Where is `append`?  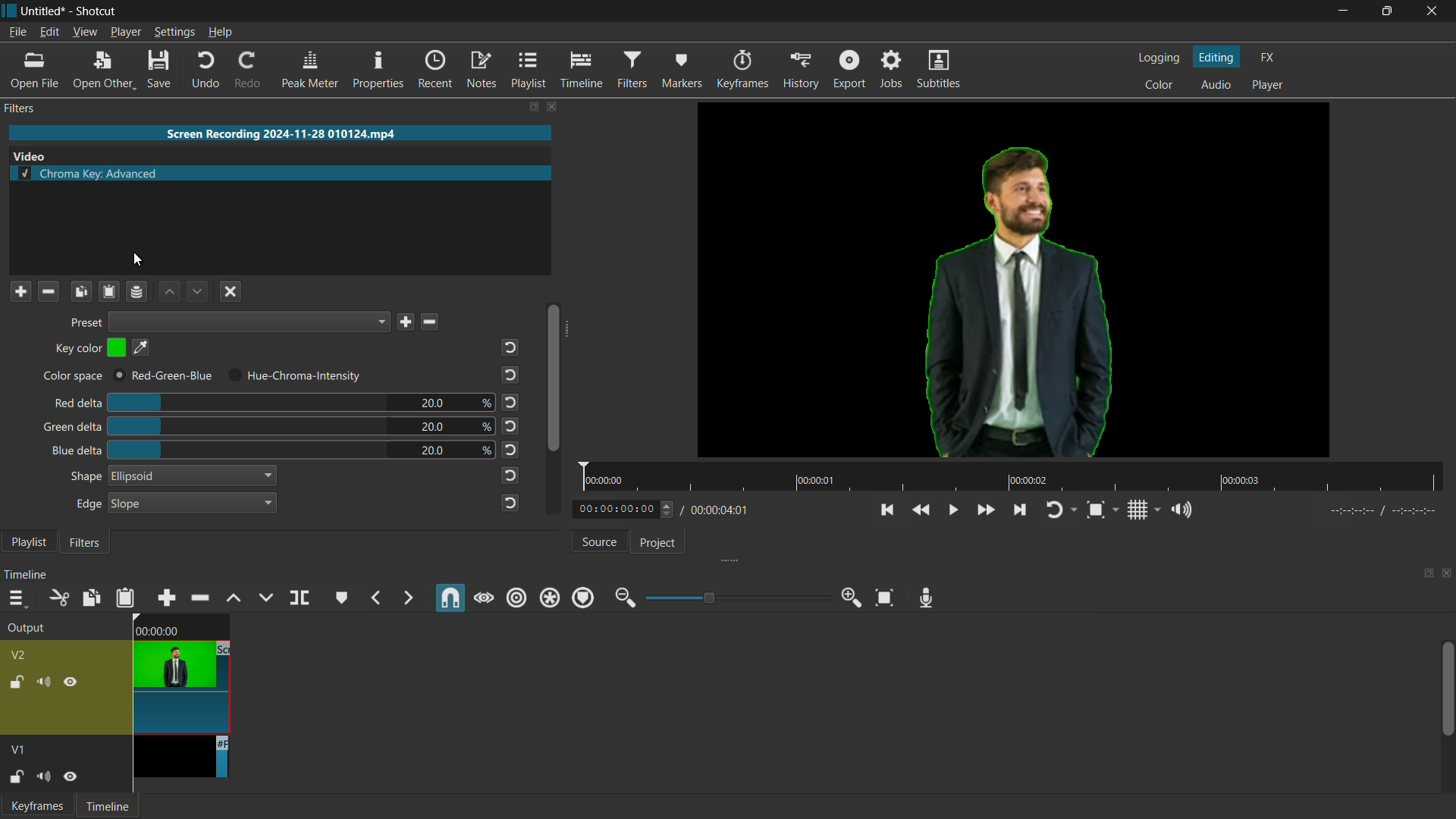
append is located at coordinates (167, 598).